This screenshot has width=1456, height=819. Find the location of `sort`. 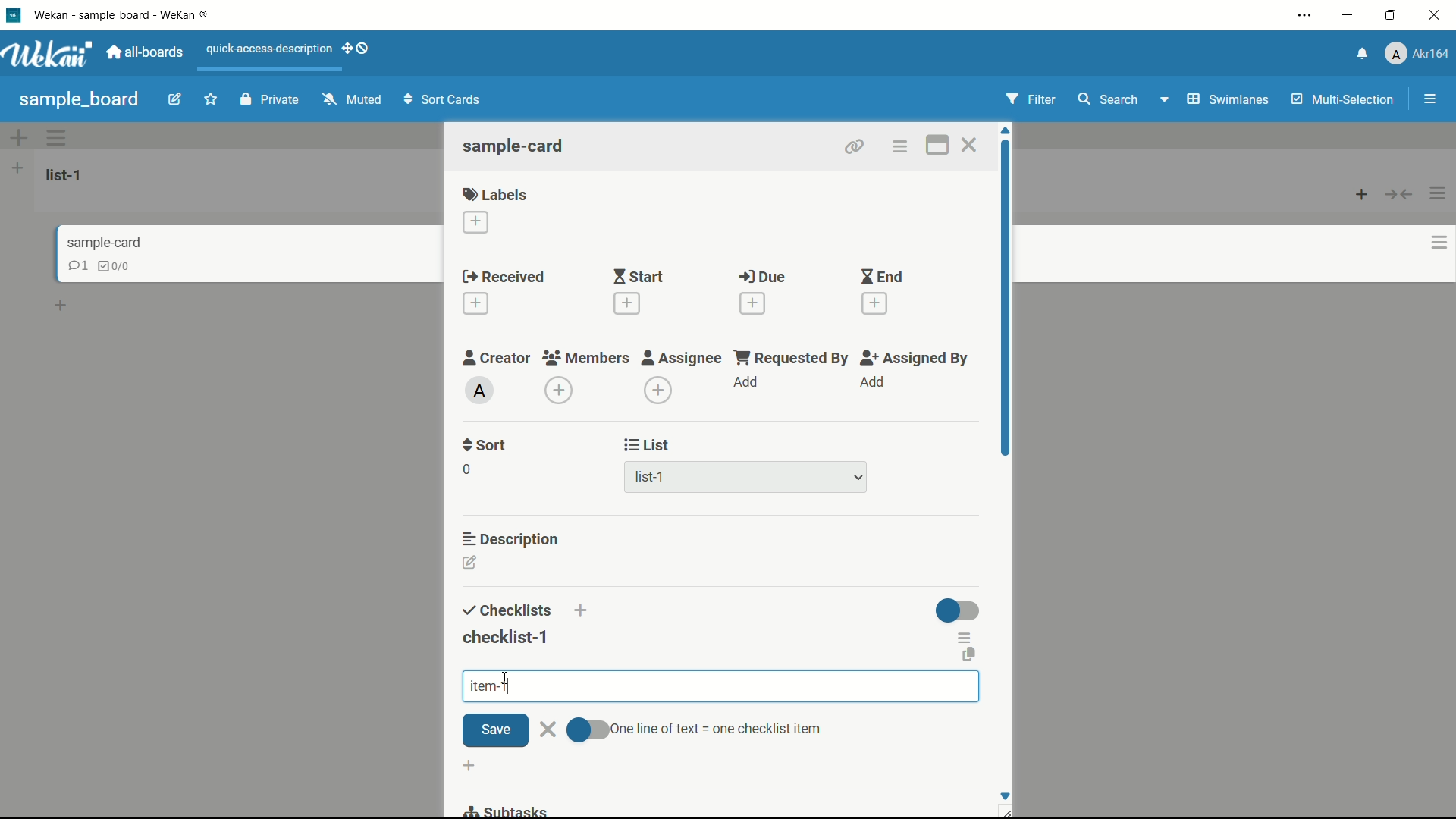

sort is located at coordinates (485, 447).